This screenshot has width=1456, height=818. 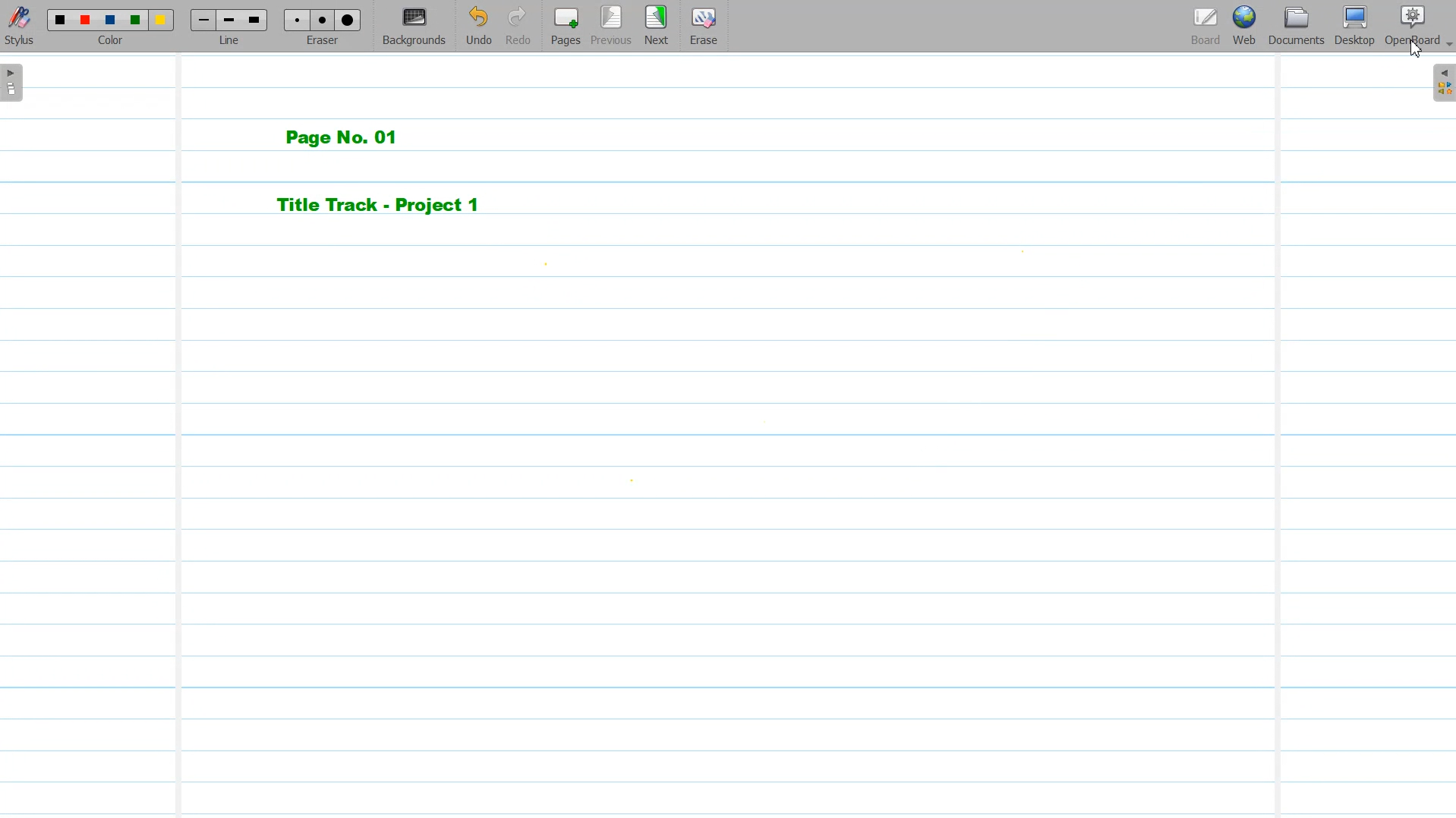 I want to click on Web, so click(x=1243, y=26).